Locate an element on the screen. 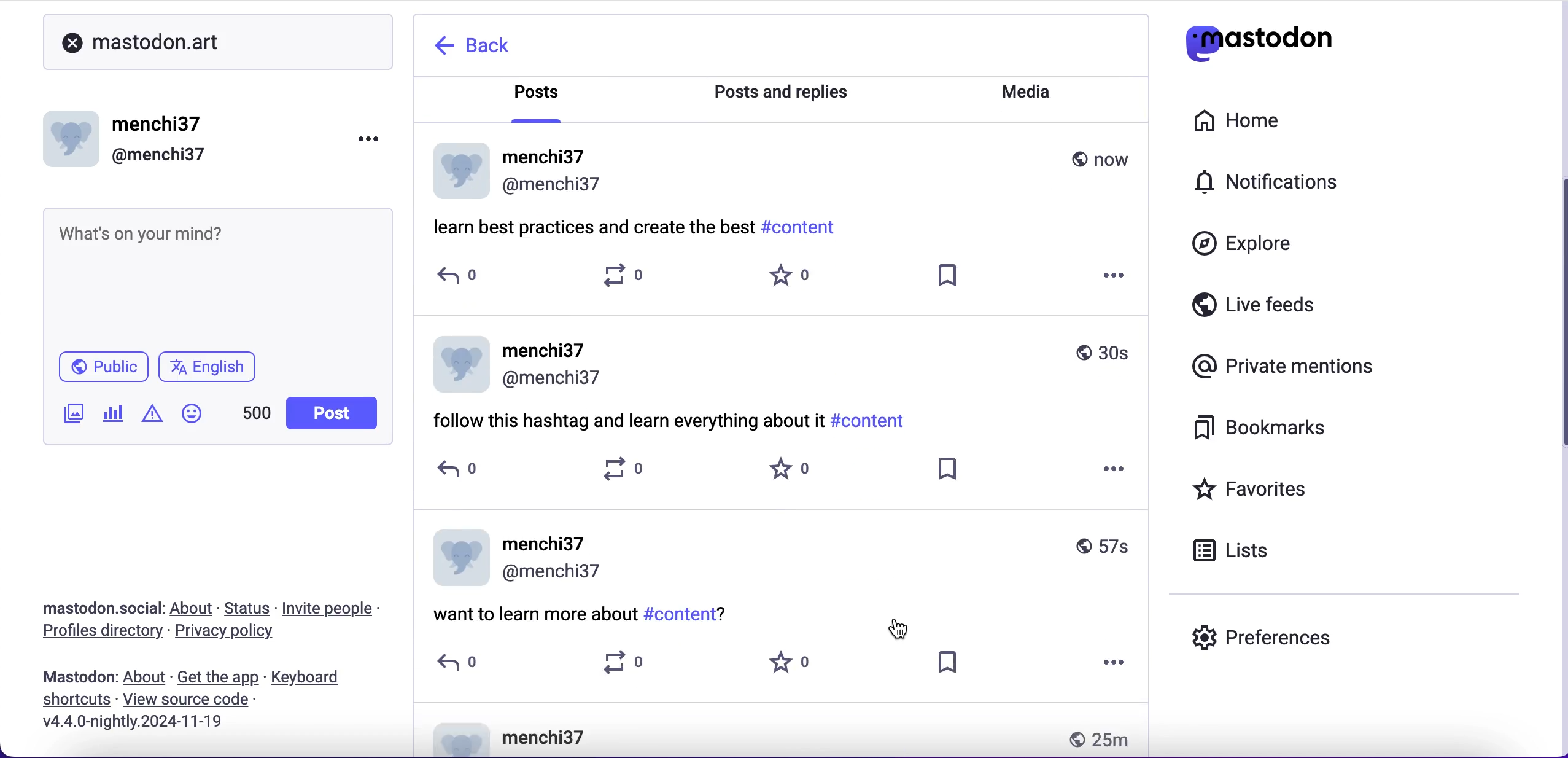  invite people is located at coordinates (340, 608).